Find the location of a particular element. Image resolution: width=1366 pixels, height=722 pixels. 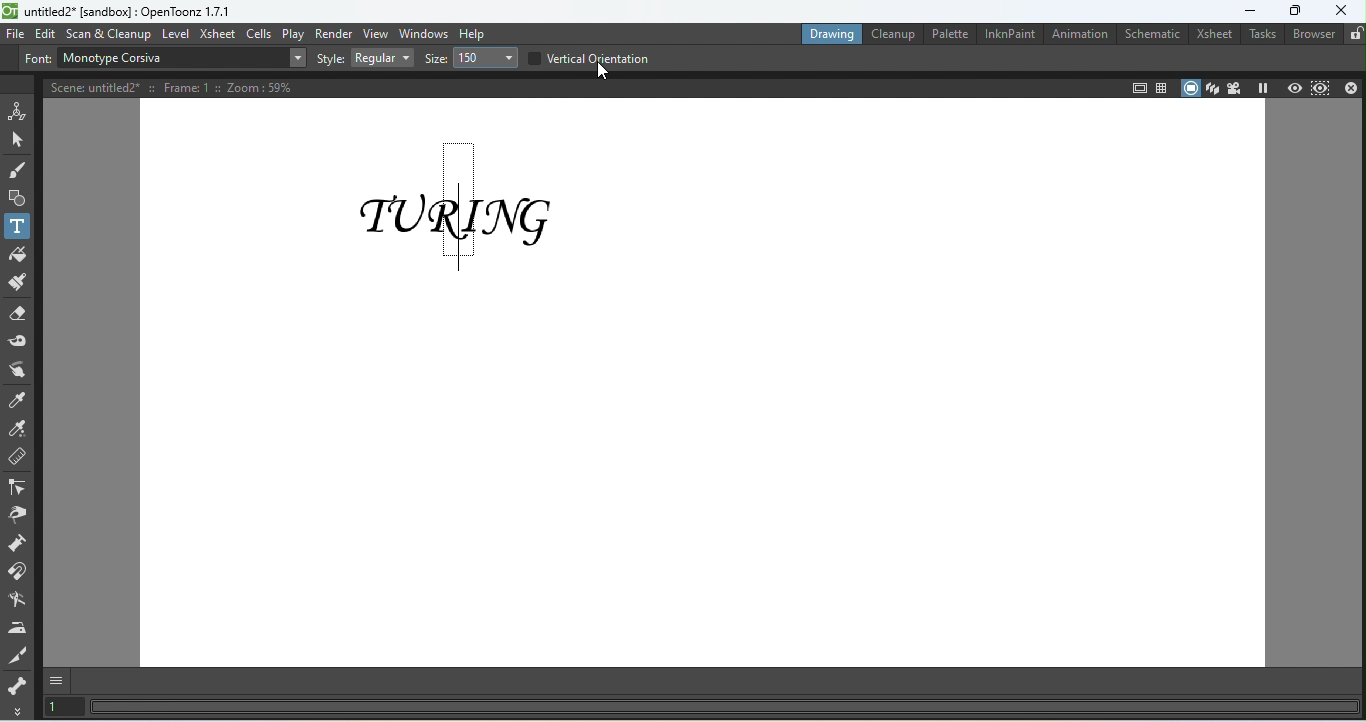

Tasks is located at coordinates (1260, 36).